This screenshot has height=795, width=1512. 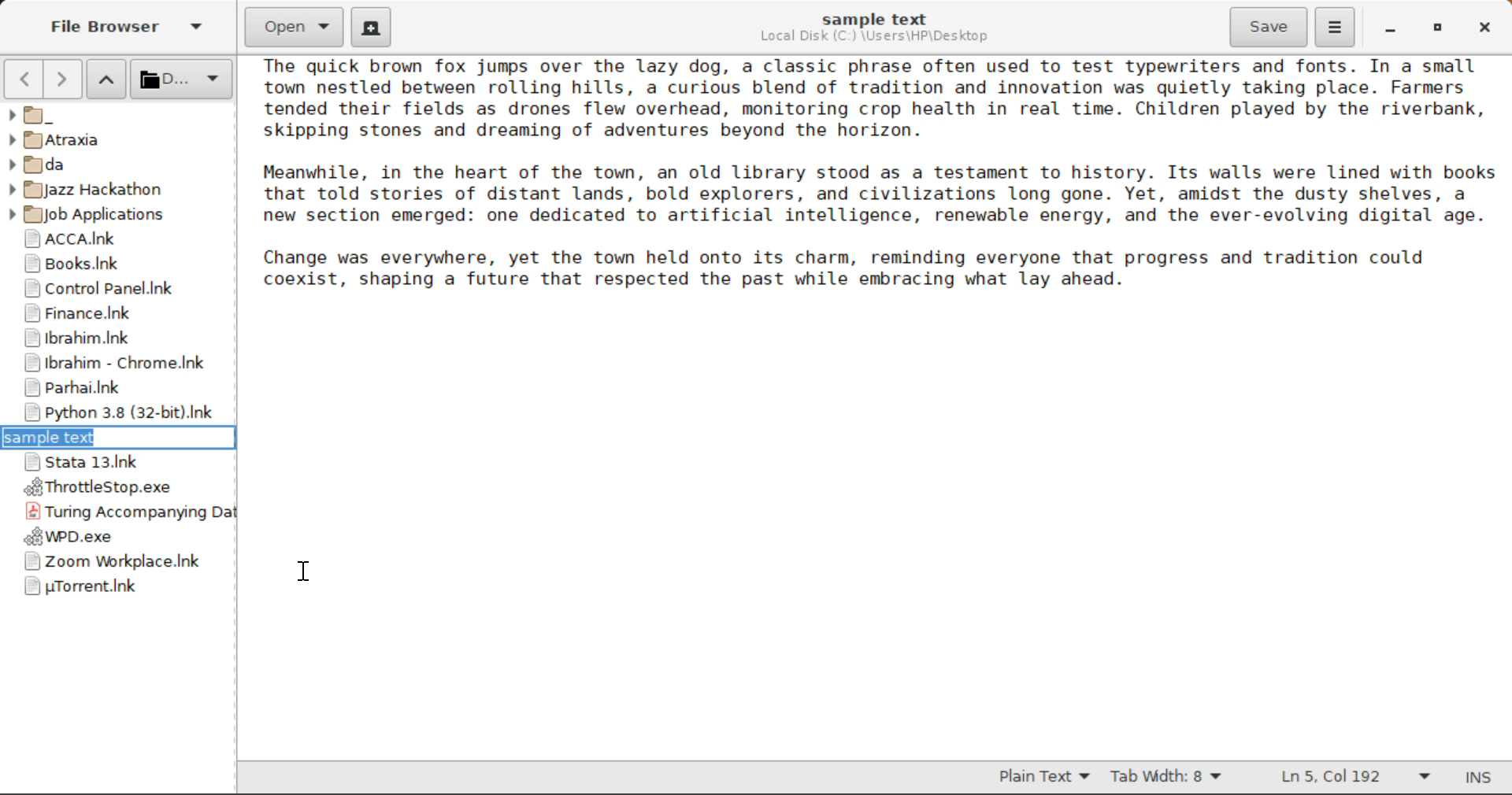 What do you see at coordinates (113, 488) in the screenshot?
I see `ThrottleStop Application` at bounding box center [113, 488].